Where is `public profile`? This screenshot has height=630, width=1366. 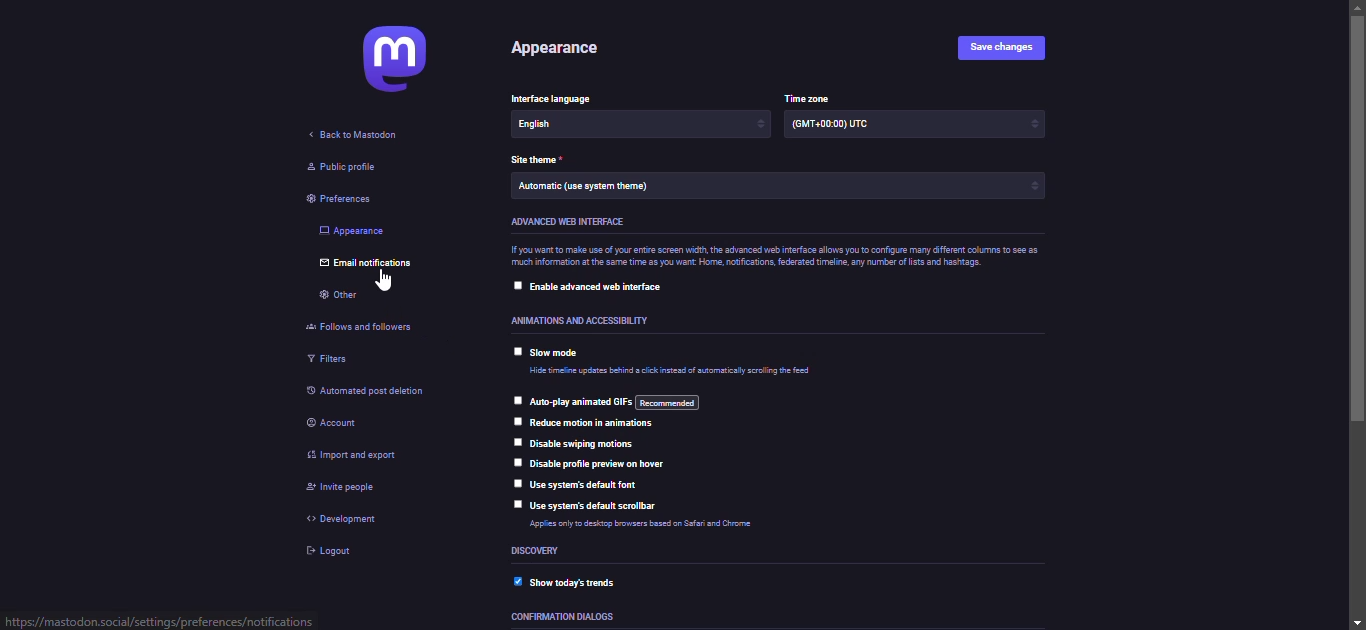 public profile is located at coordinates (342, 167).